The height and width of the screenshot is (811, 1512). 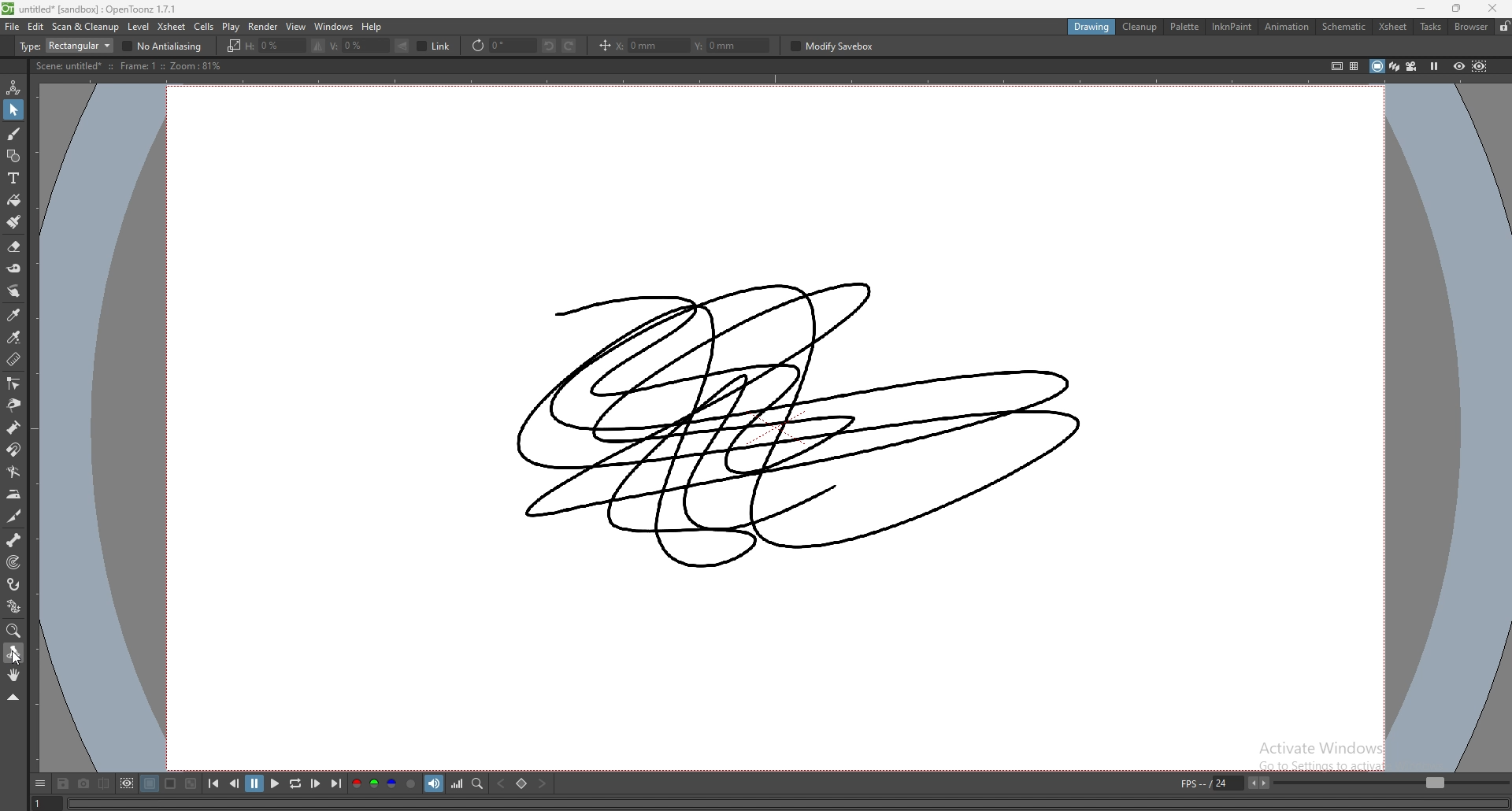 I want to click on previous frame, so click(x=235, y=784).